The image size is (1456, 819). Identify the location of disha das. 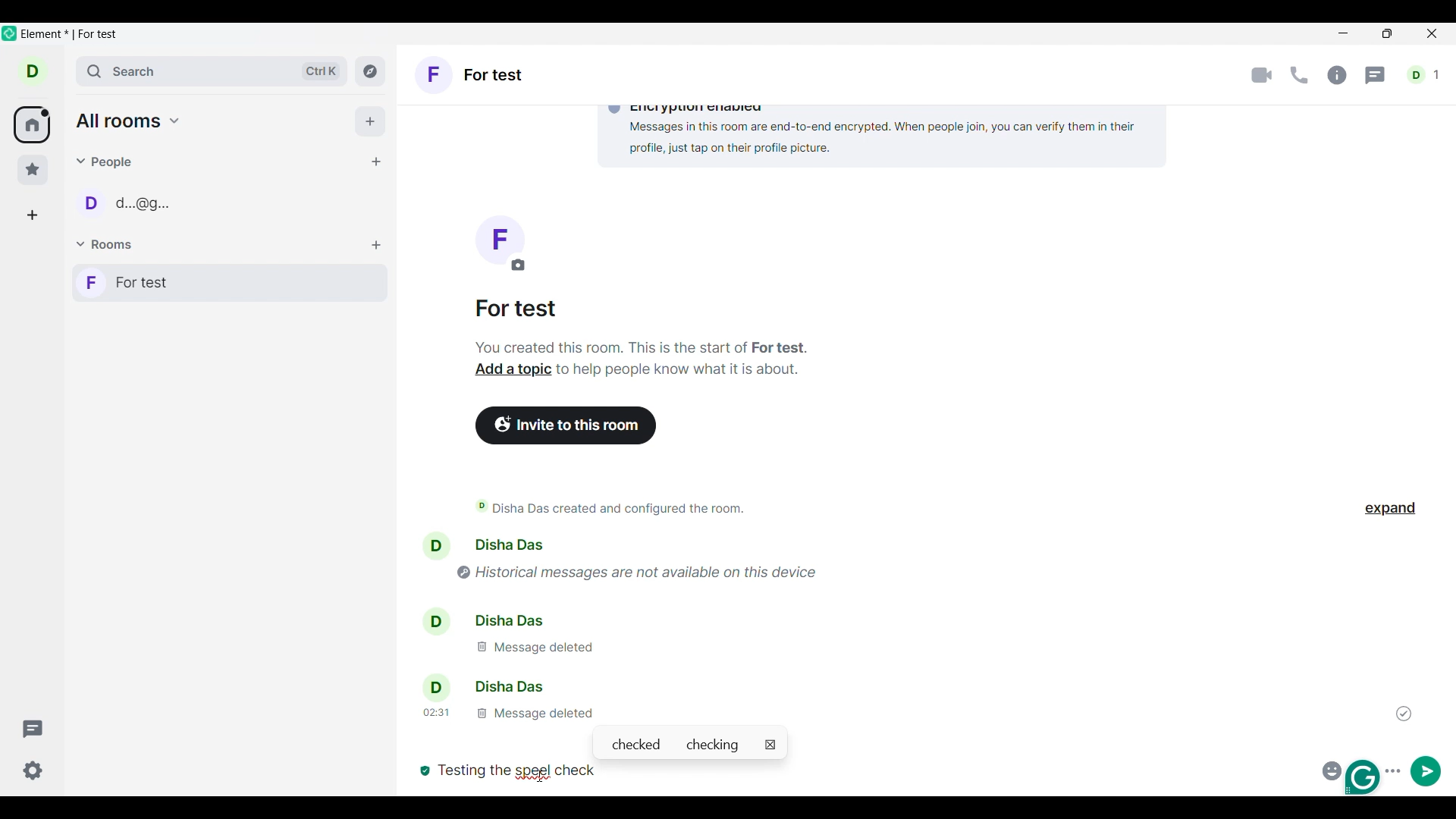
(487, 687).